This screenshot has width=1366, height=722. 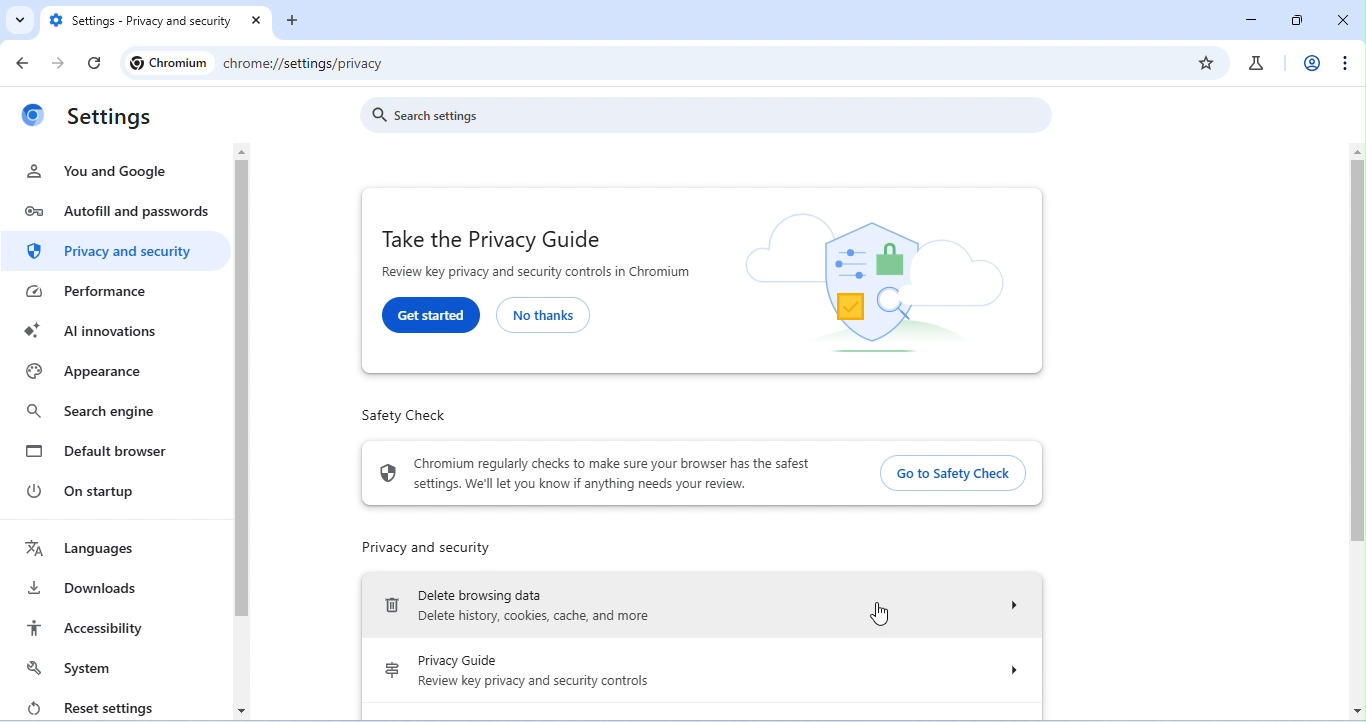 I want to click on no thanks, so click(x=546, y=315).